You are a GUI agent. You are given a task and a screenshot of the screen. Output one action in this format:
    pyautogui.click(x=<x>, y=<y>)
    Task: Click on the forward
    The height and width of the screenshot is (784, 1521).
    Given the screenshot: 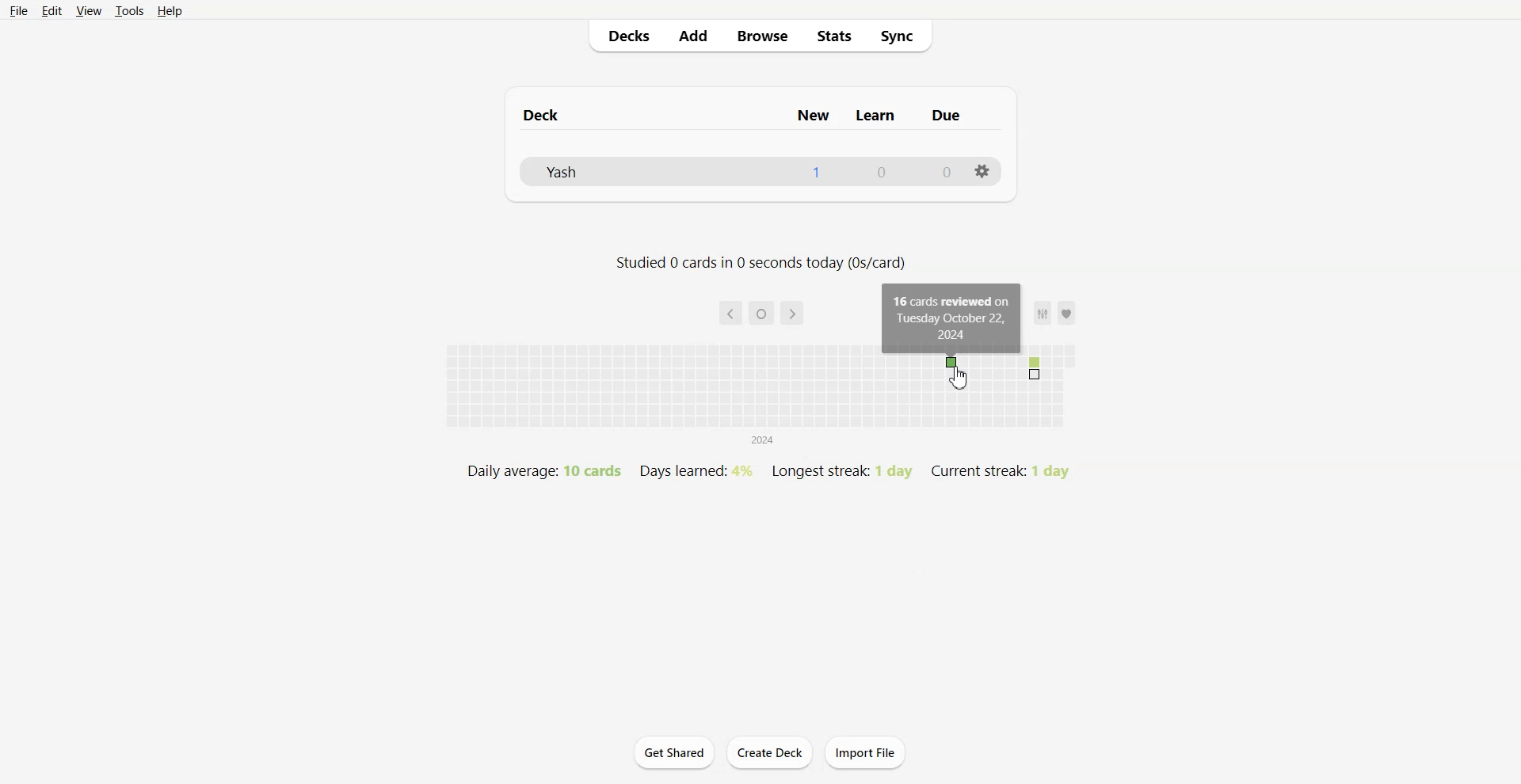 What is the action you would take?
    pyautogui.click(x=792, y=313)
    